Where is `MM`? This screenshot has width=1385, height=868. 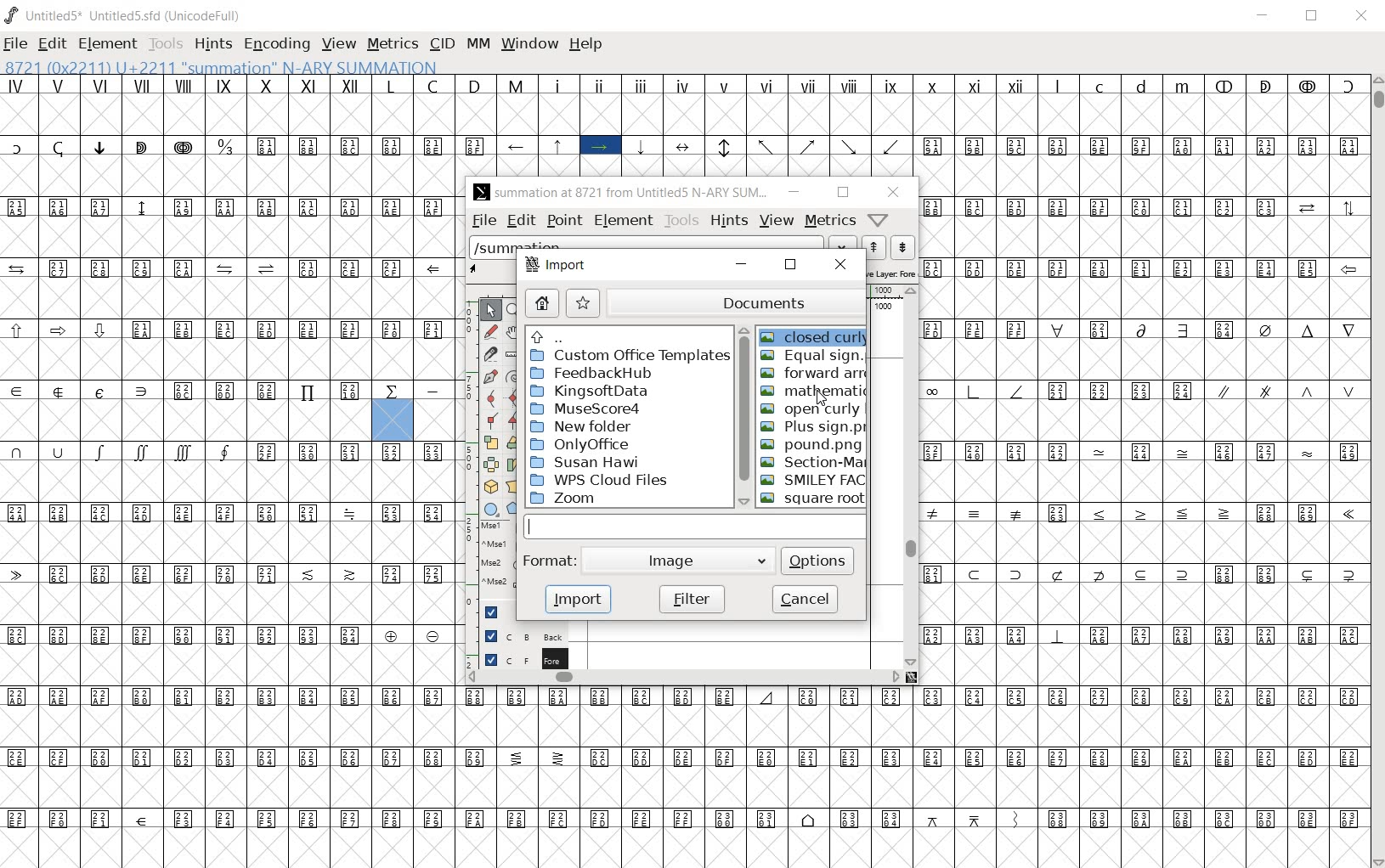 MM is located at coordinates (477, 43).